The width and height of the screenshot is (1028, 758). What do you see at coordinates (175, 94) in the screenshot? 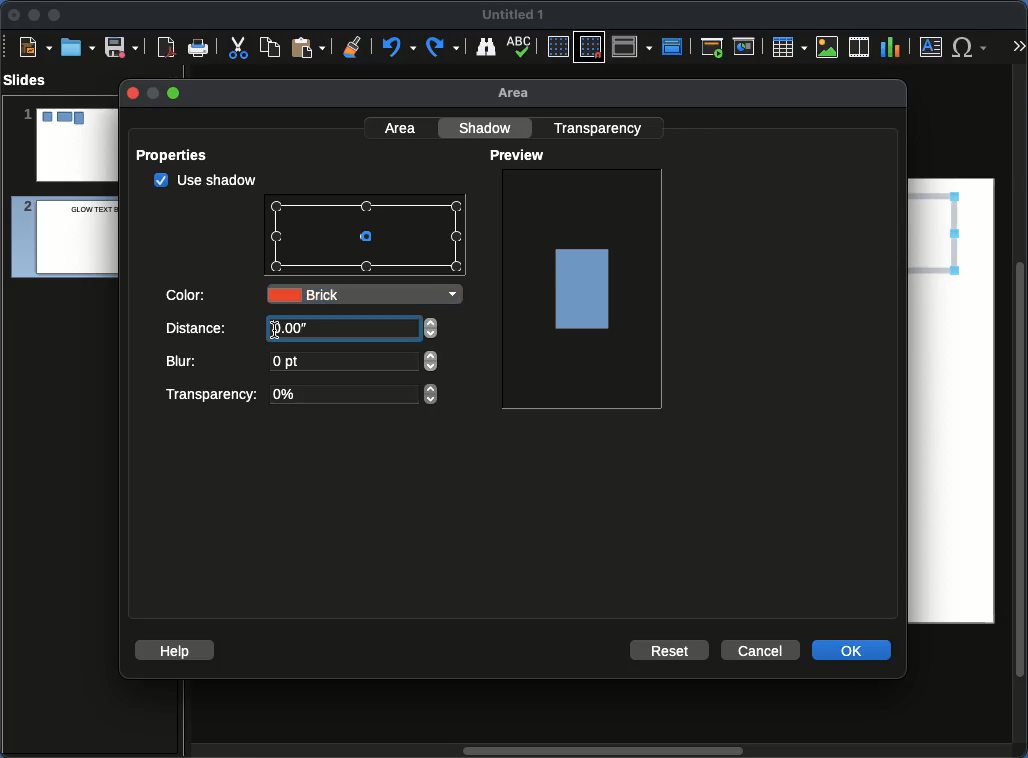
I see `maximize` at bounding box center [175, 94].